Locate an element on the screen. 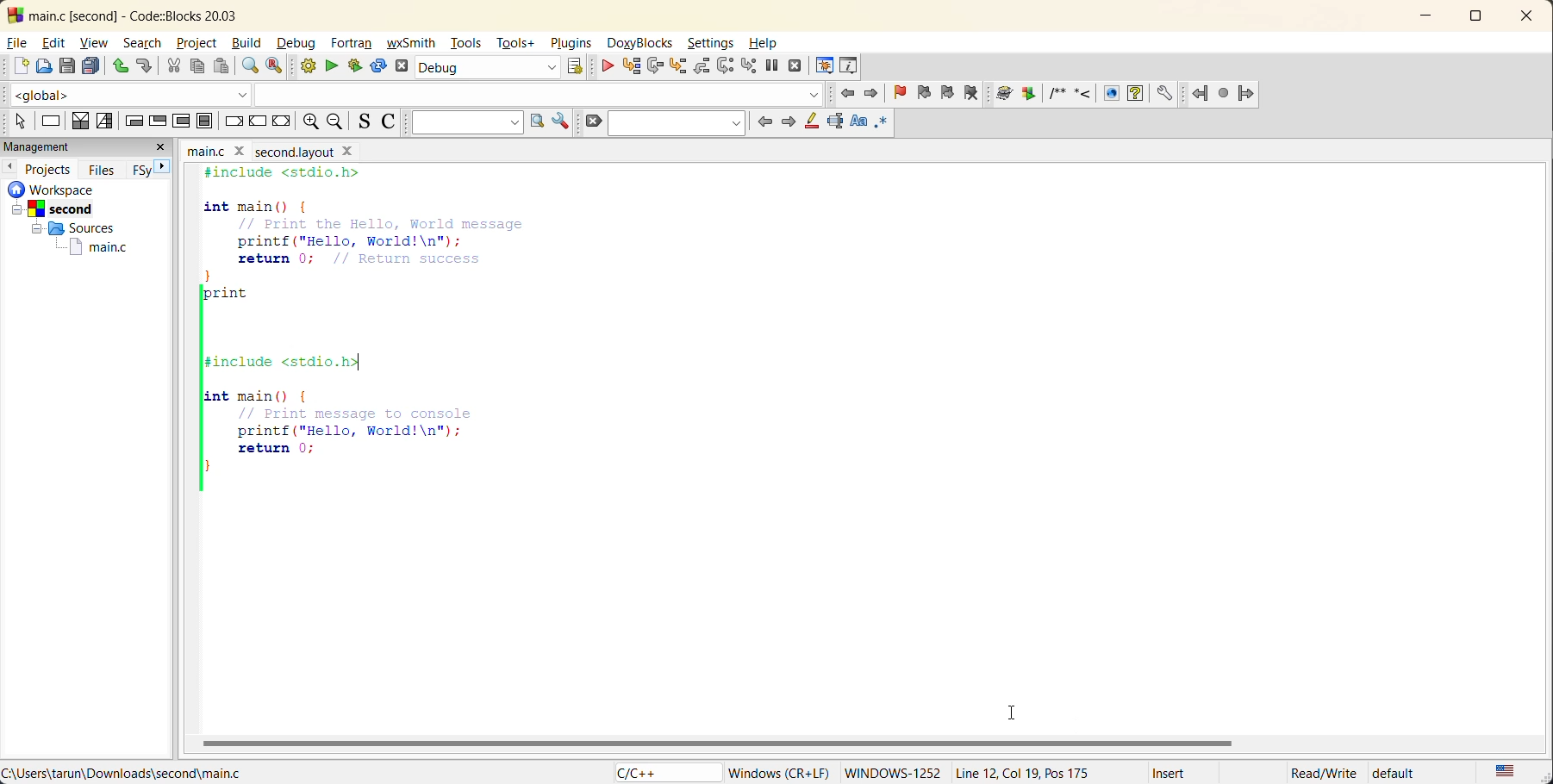 Image resolution: width=1553 pixels, height=784 pixels. abort is located at coordinates (405, 66).